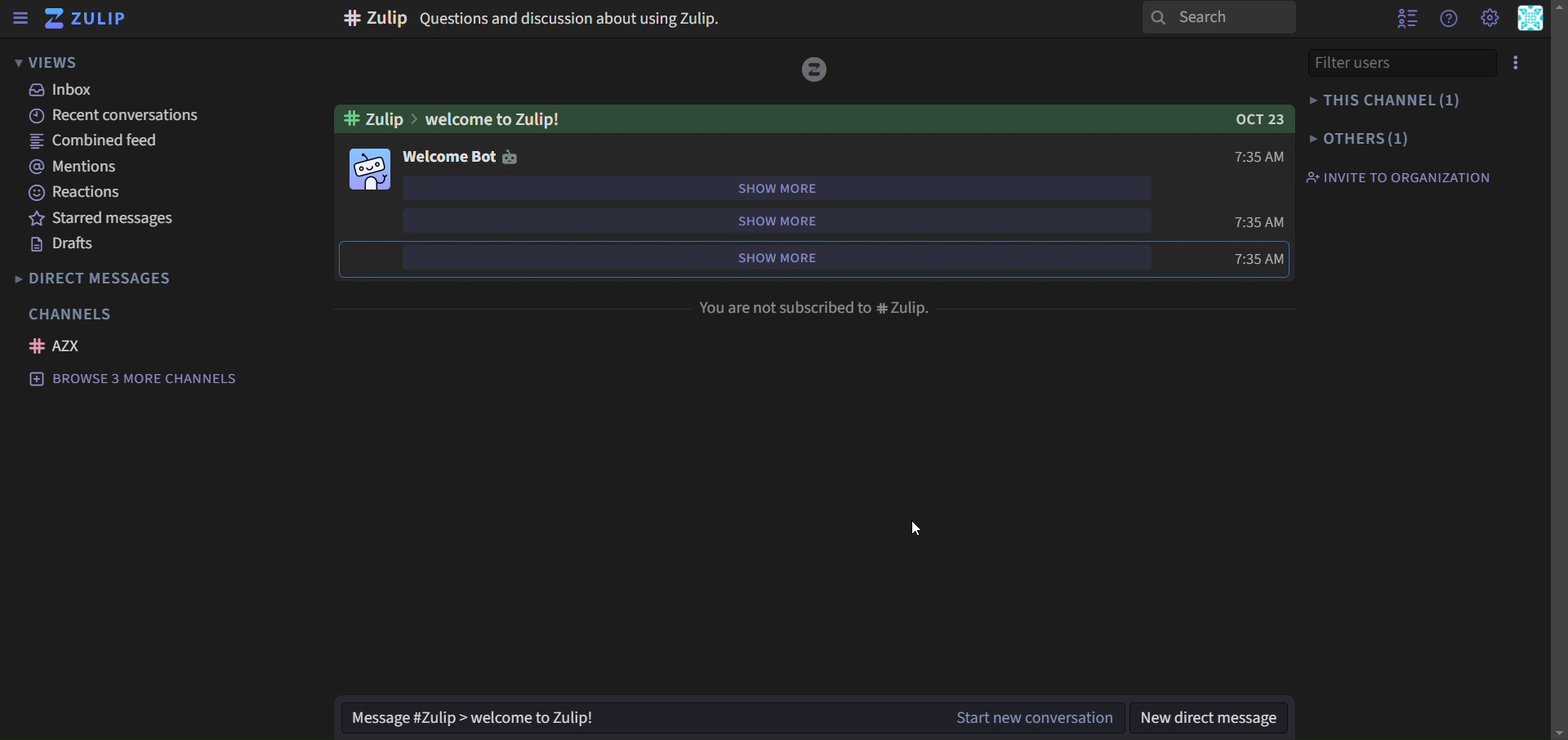 This screenshot has height=740, width=1568. What do you see at coordinates (1254, 118) in the screenshot?
I see `OCT 23` at bounding box center [1254, 118].